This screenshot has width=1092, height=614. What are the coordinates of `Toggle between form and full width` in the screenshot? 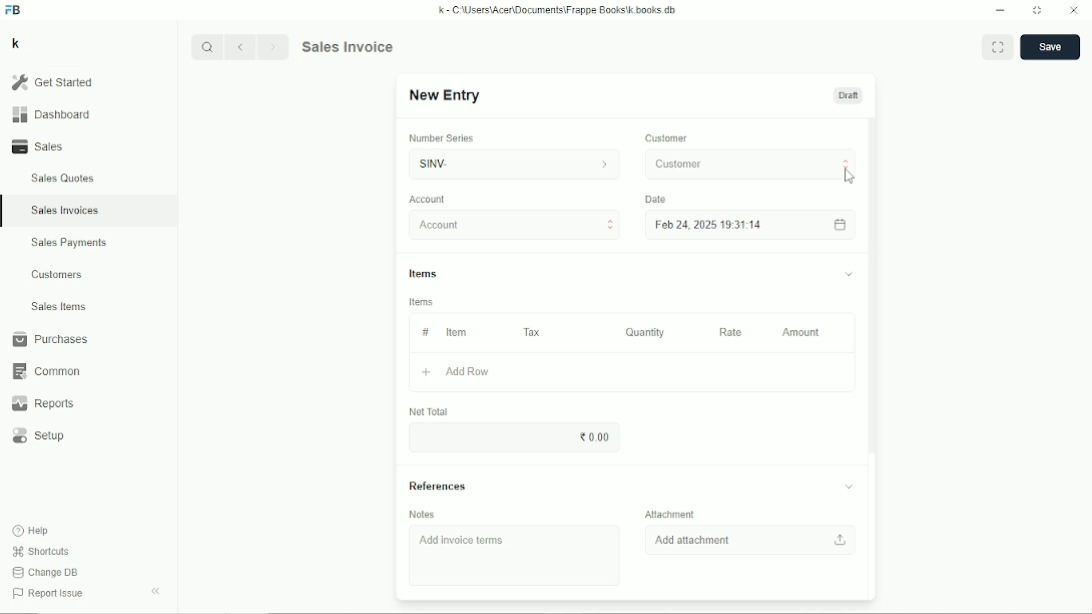 It's located at (1038, 11).